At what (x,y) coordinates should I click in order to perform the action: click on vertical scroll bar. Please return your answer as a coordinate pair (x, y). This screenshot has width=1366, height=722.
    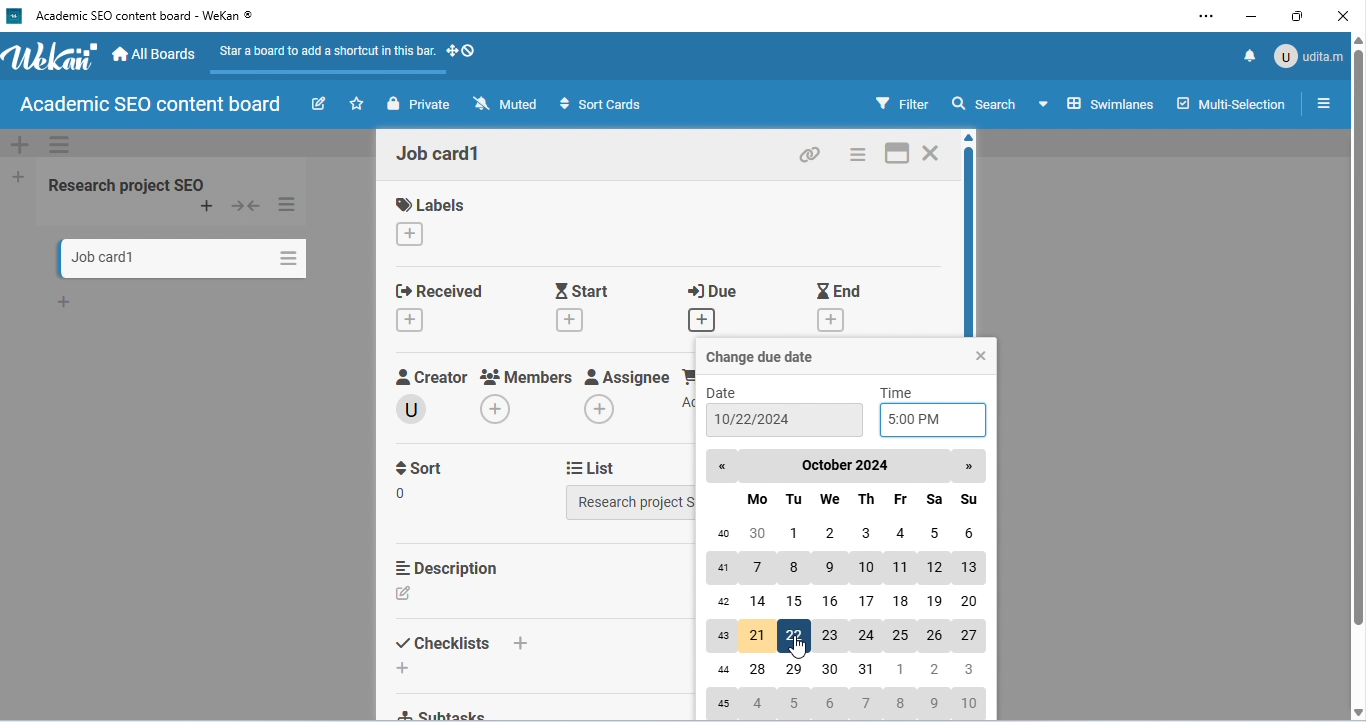
    Looking at the image, I should click on (973, 240).